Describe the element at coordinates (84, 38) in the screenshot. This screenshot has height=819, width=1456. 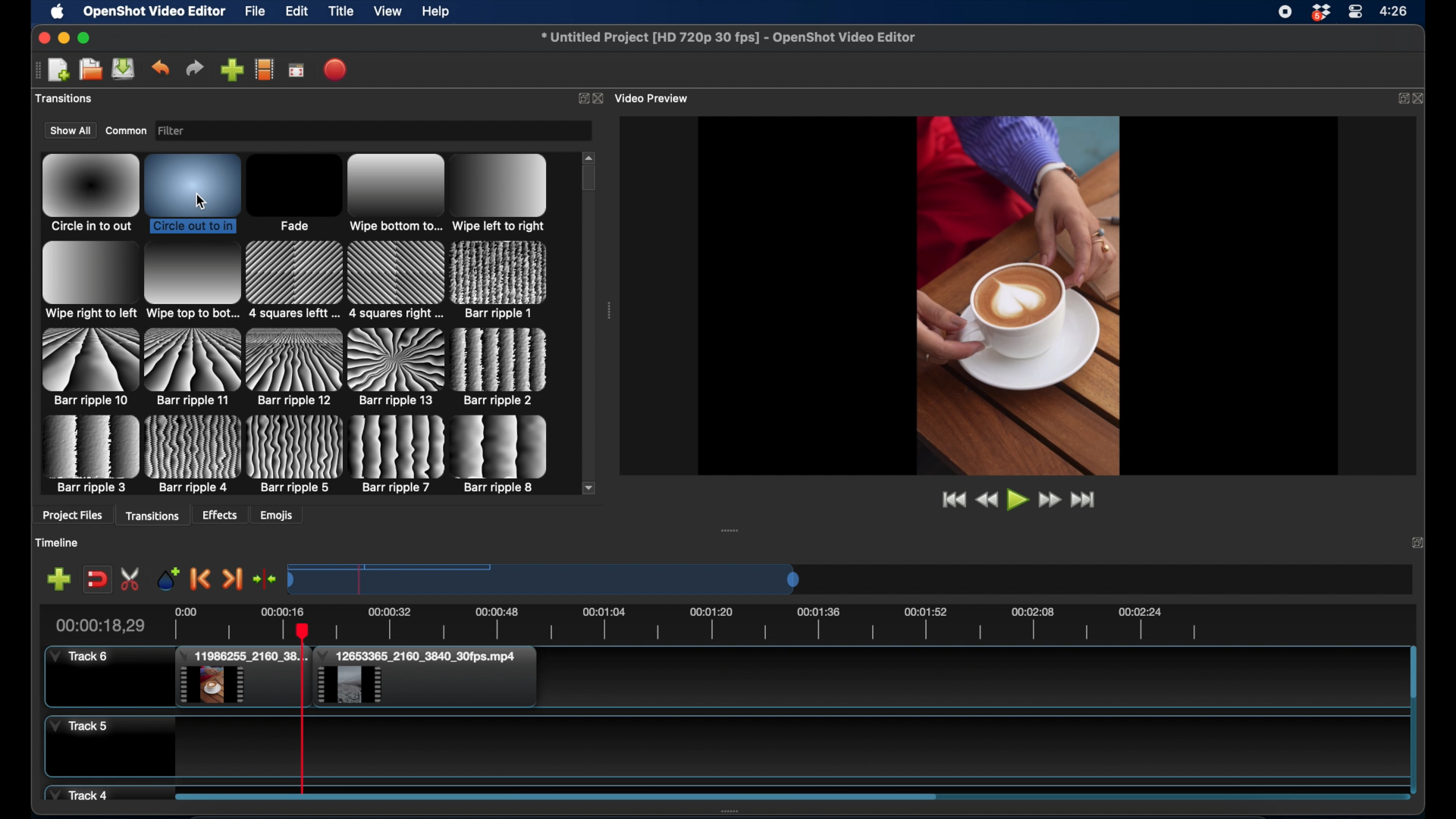
I see `maximize` at that location.